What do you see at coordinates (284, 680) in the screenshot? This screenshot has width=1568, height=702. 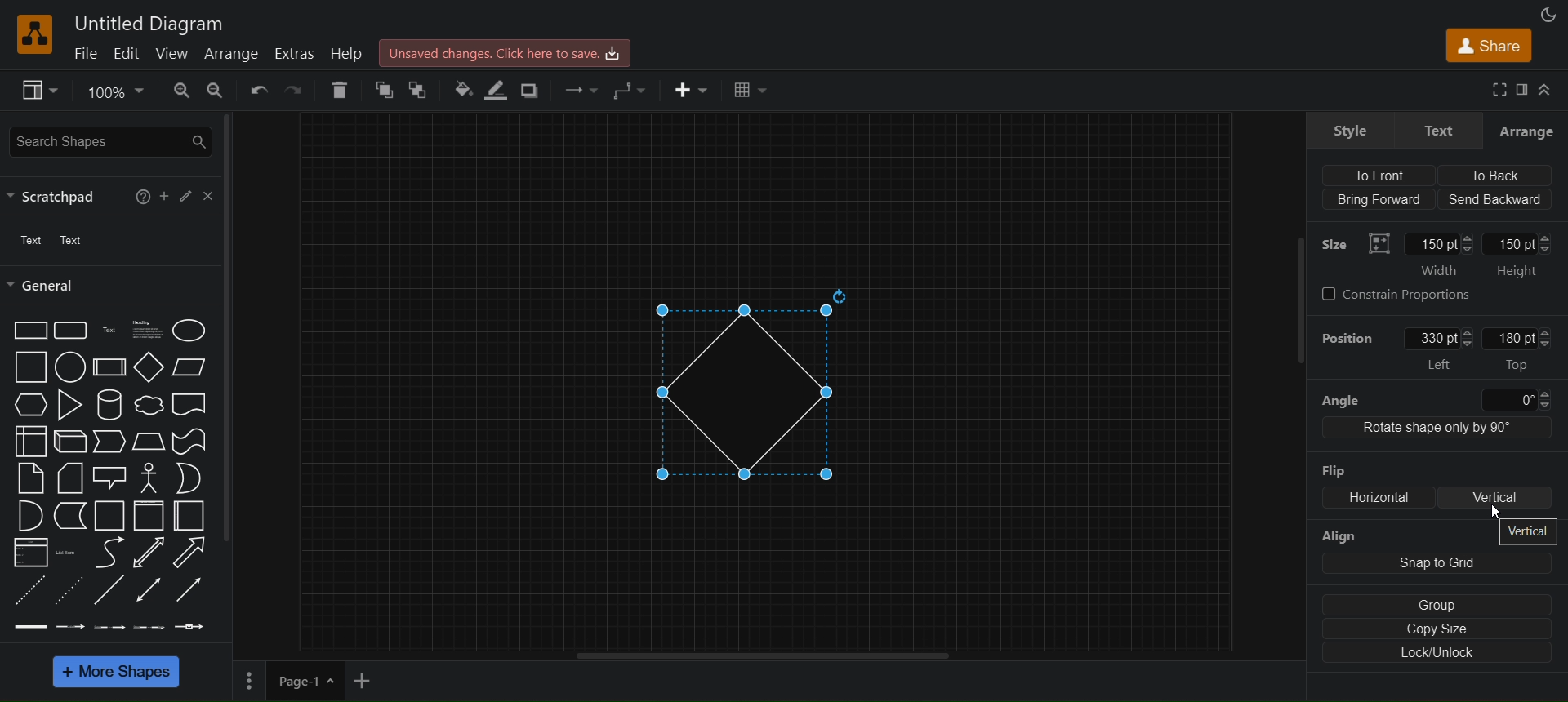 I see `page 1` at bounding box center [284, 680].